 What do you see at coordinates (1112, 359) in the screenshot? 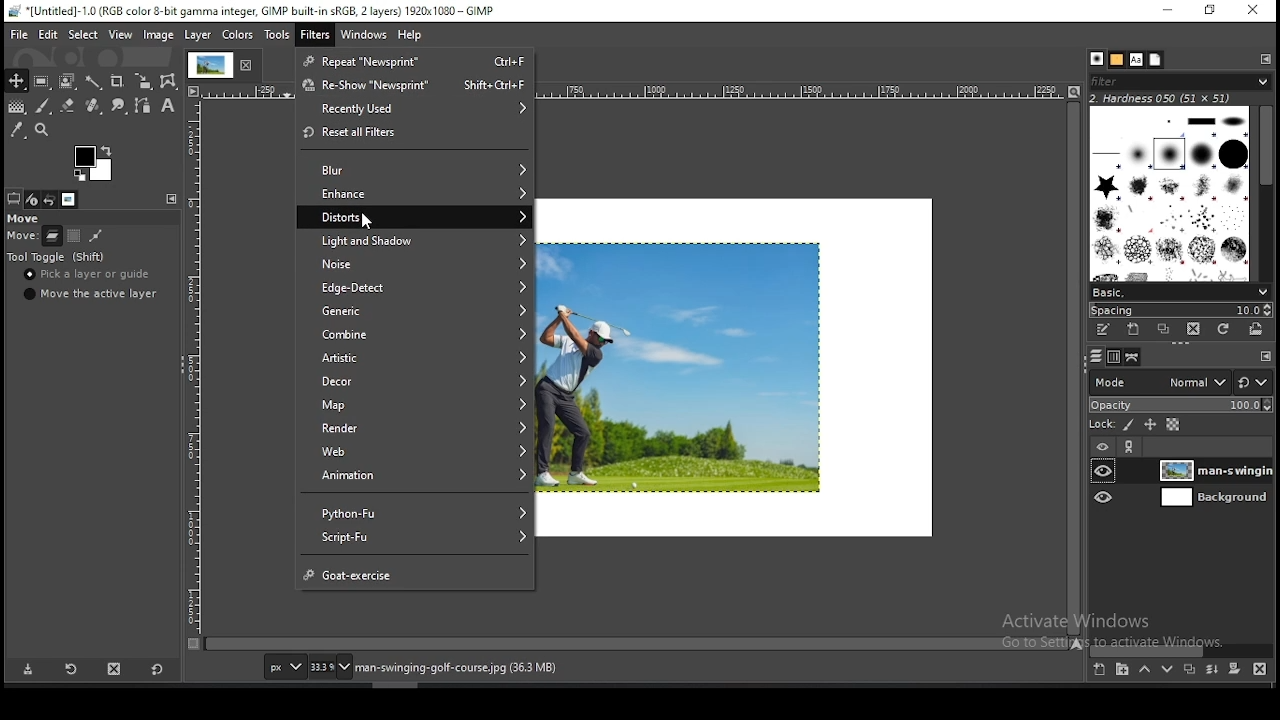
I see `channels` at bounding box center [1112, 359].